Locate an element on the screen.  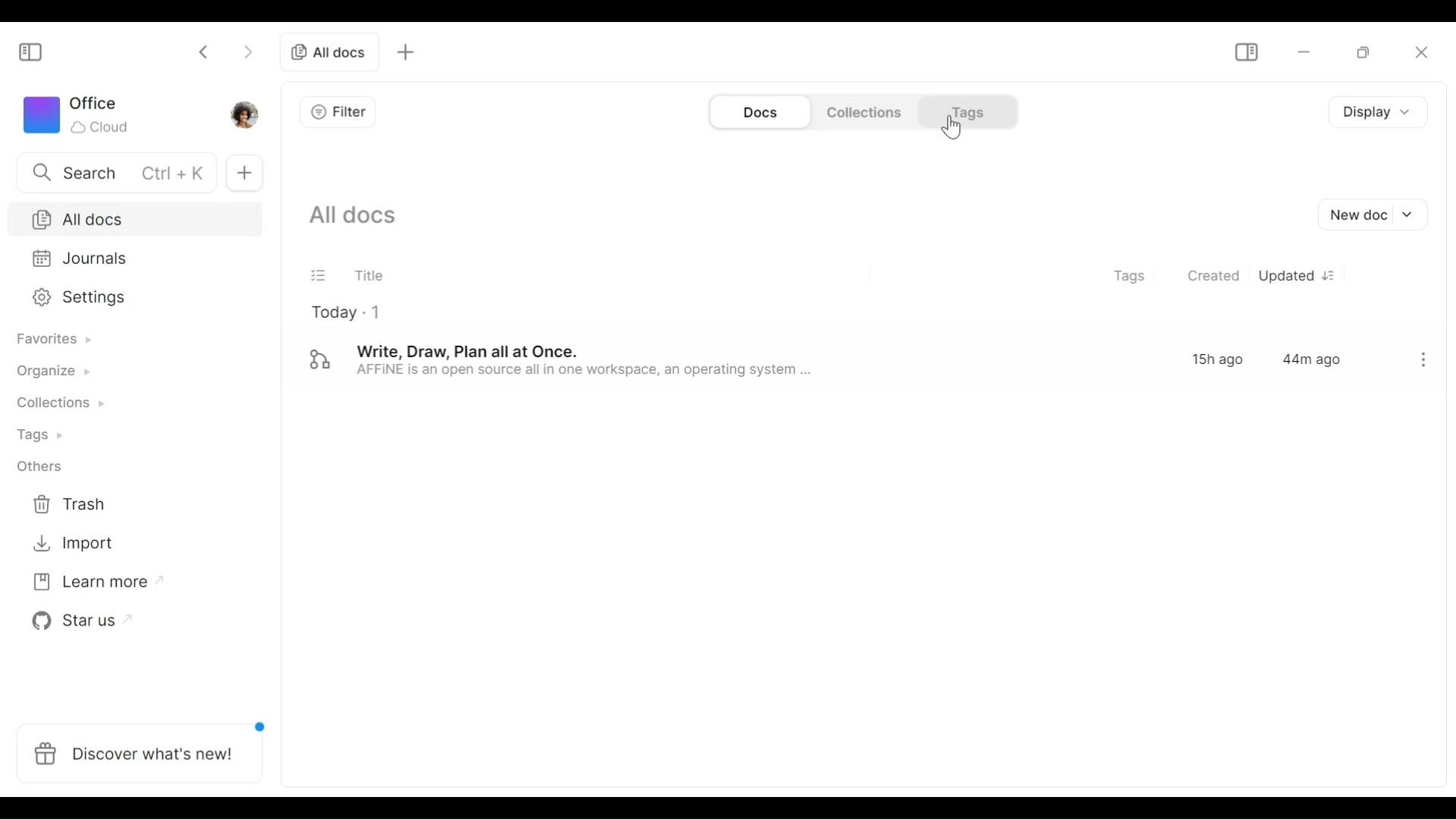
Filter is located at coordinates (318, 274).